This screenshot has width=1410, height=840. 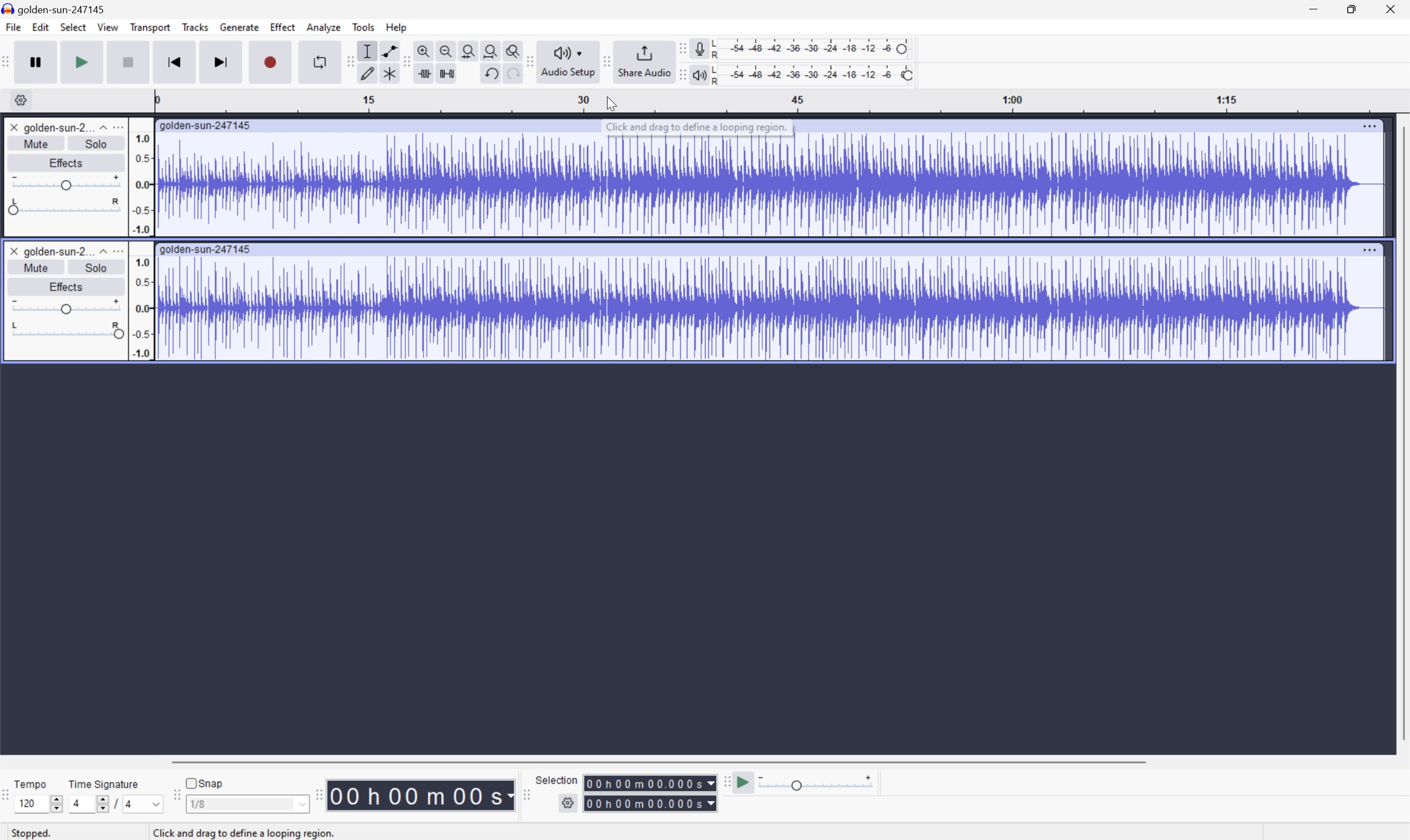 I want to click on Slider, so click(x=65, y=207).